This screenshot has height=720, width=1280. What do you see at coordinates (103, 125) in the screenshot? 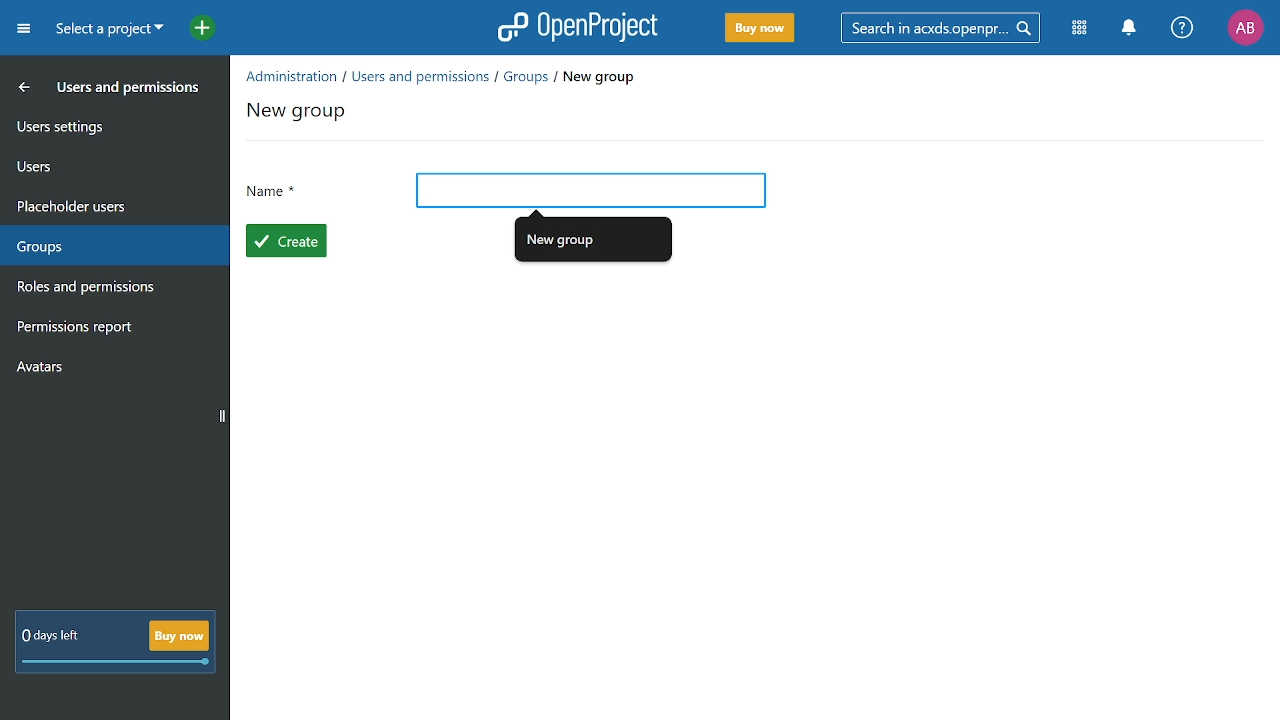
I see `User settings` at bounding box center [103, 125].